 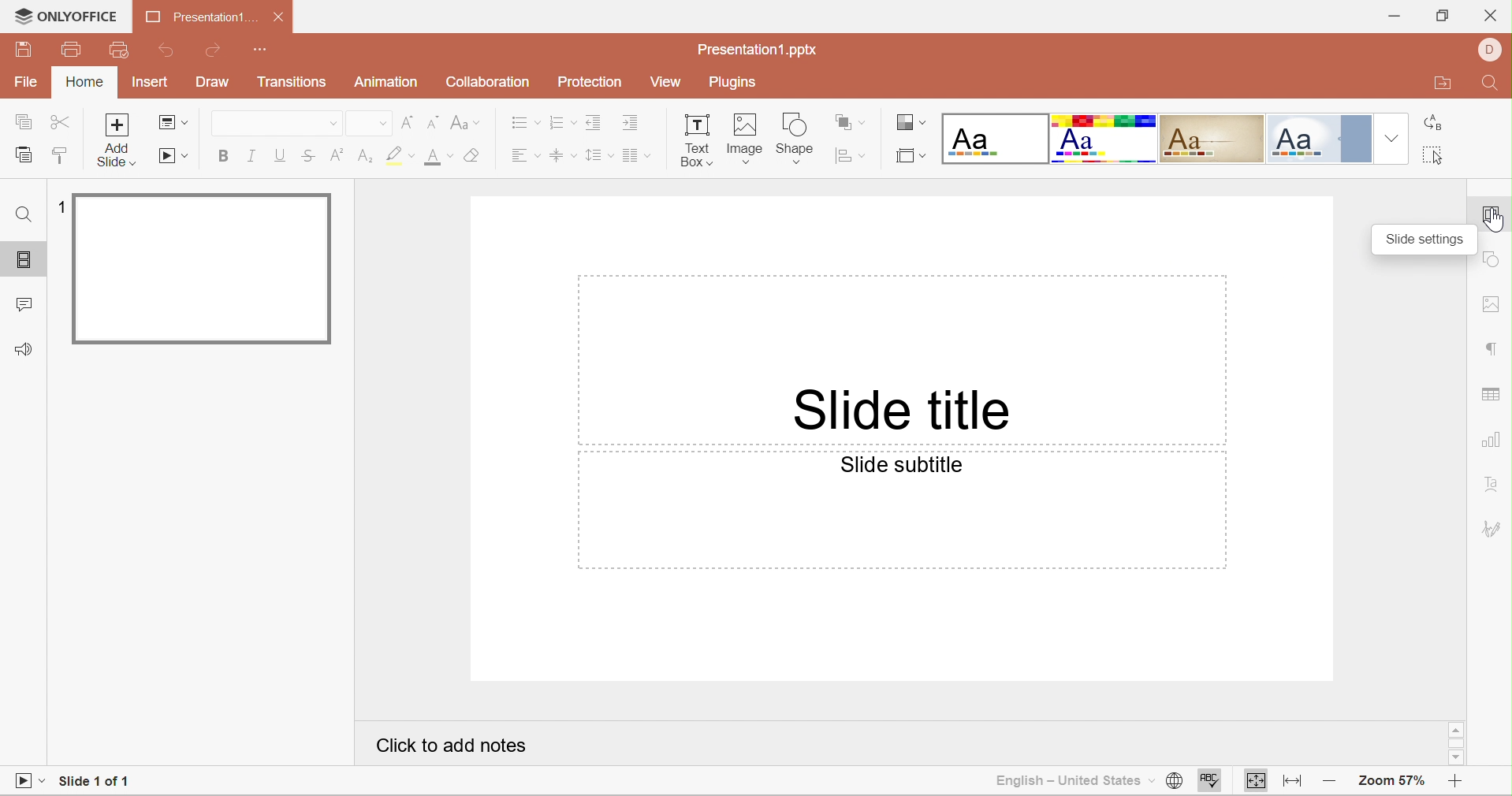 I want to click on Highlight color, so click(x=401, y=156).